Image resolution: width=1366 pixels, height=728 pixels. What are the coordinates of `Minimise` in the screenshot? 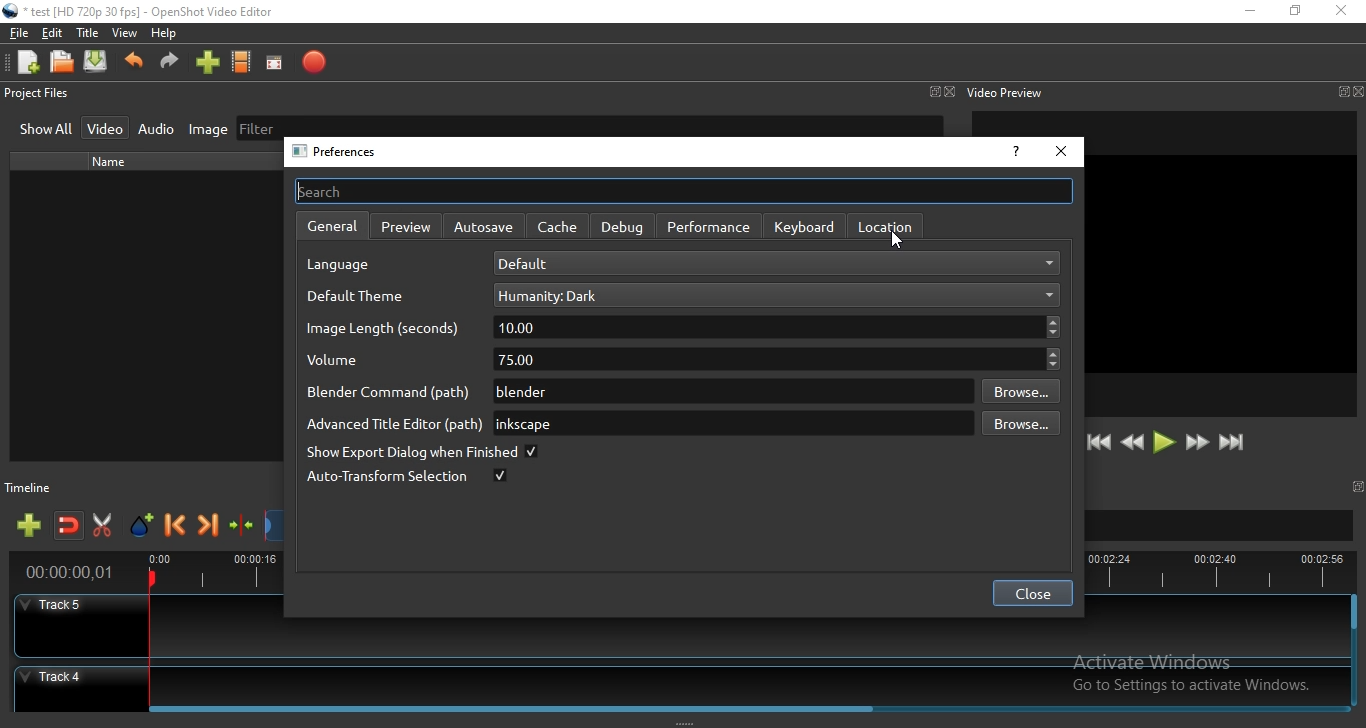 It's located at (1249, 12).